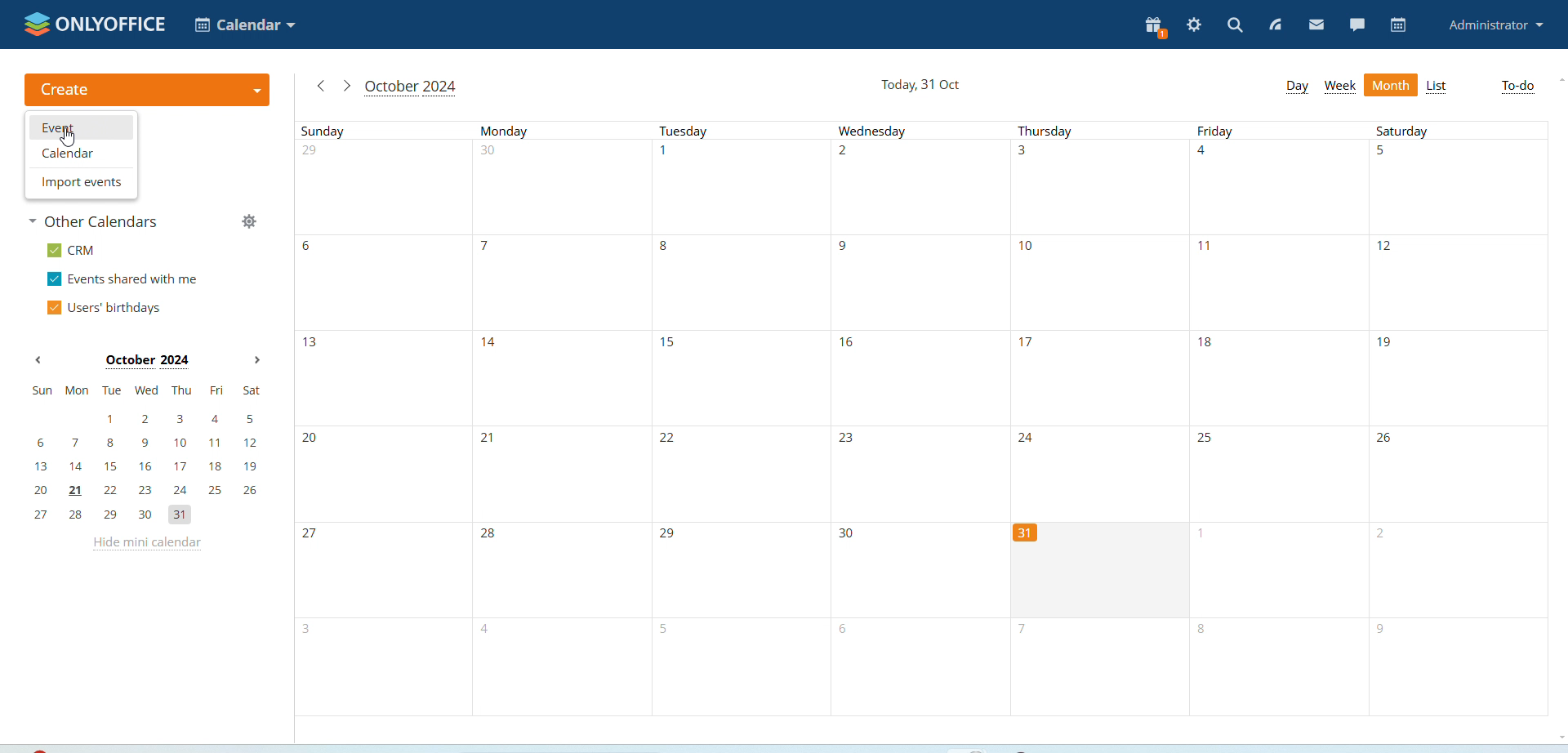 The width and height of the screenshot is (1568, 753). What do you see at coordinates (80, 183) in the screenshot?
I see `import events` at bounding box center [80, 183].